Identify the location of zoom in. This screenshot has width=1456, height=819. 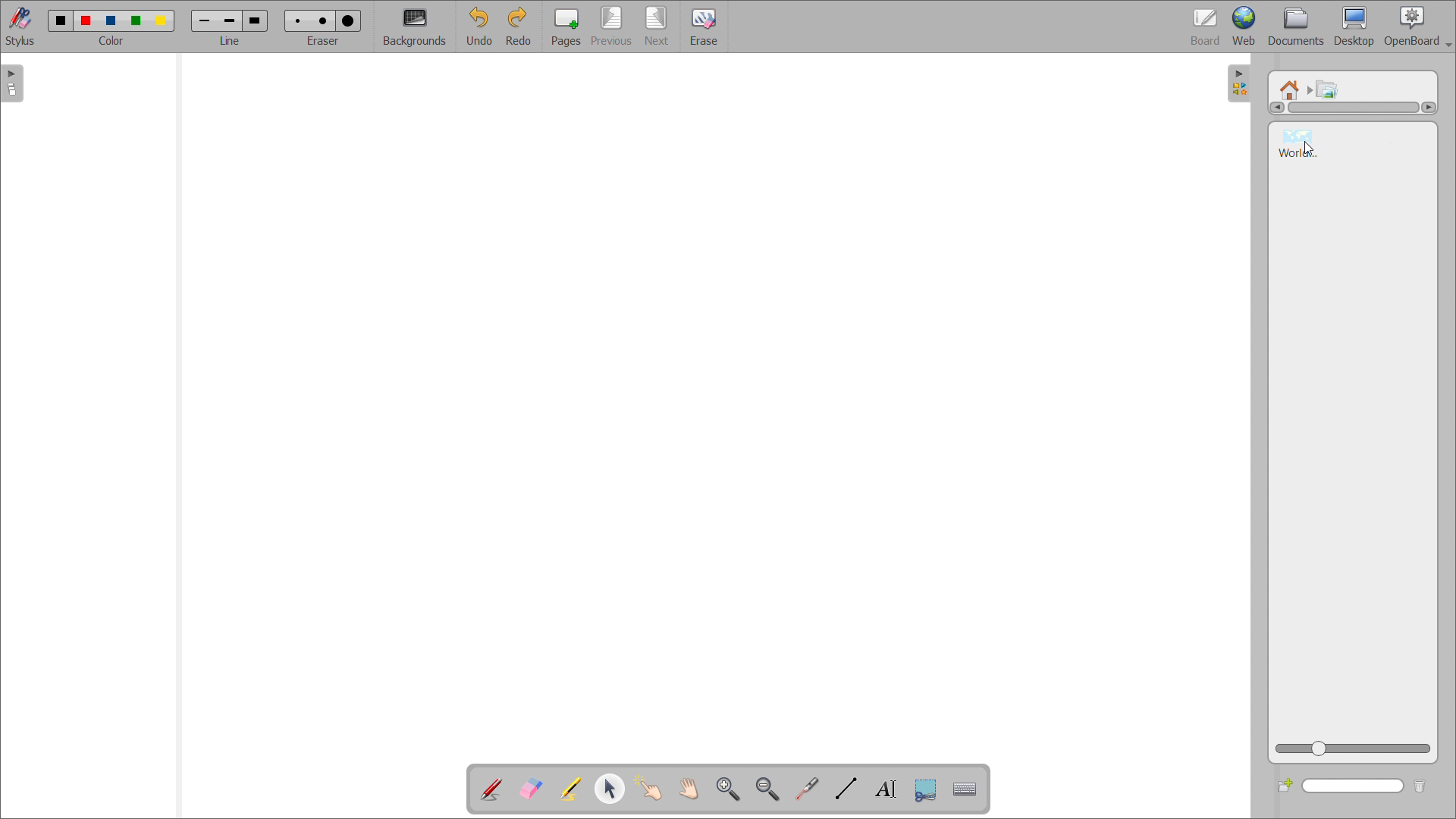
(730, 789).